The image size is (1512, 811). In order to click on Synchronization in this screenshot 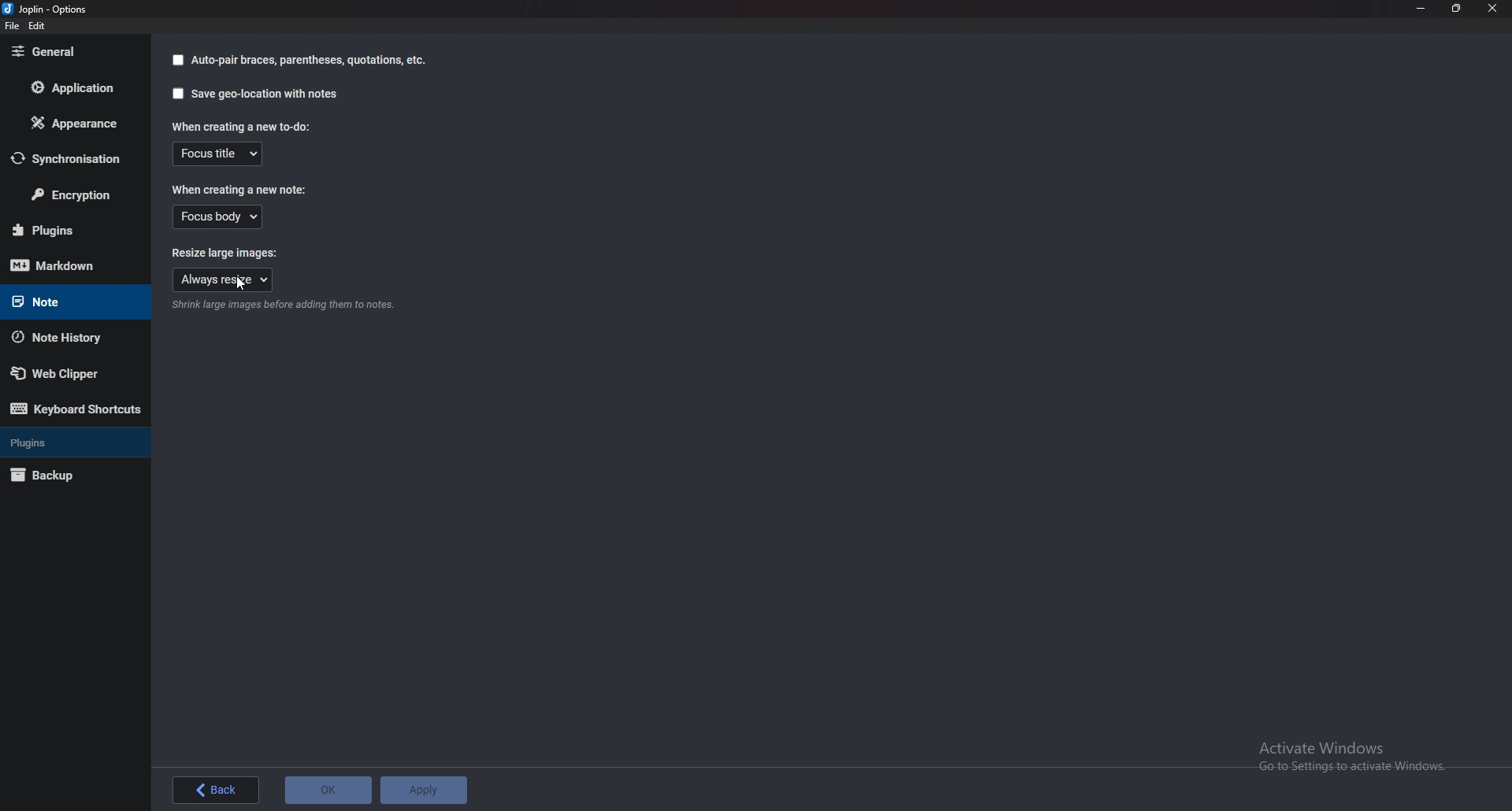, I will do `click(73, 158)`.